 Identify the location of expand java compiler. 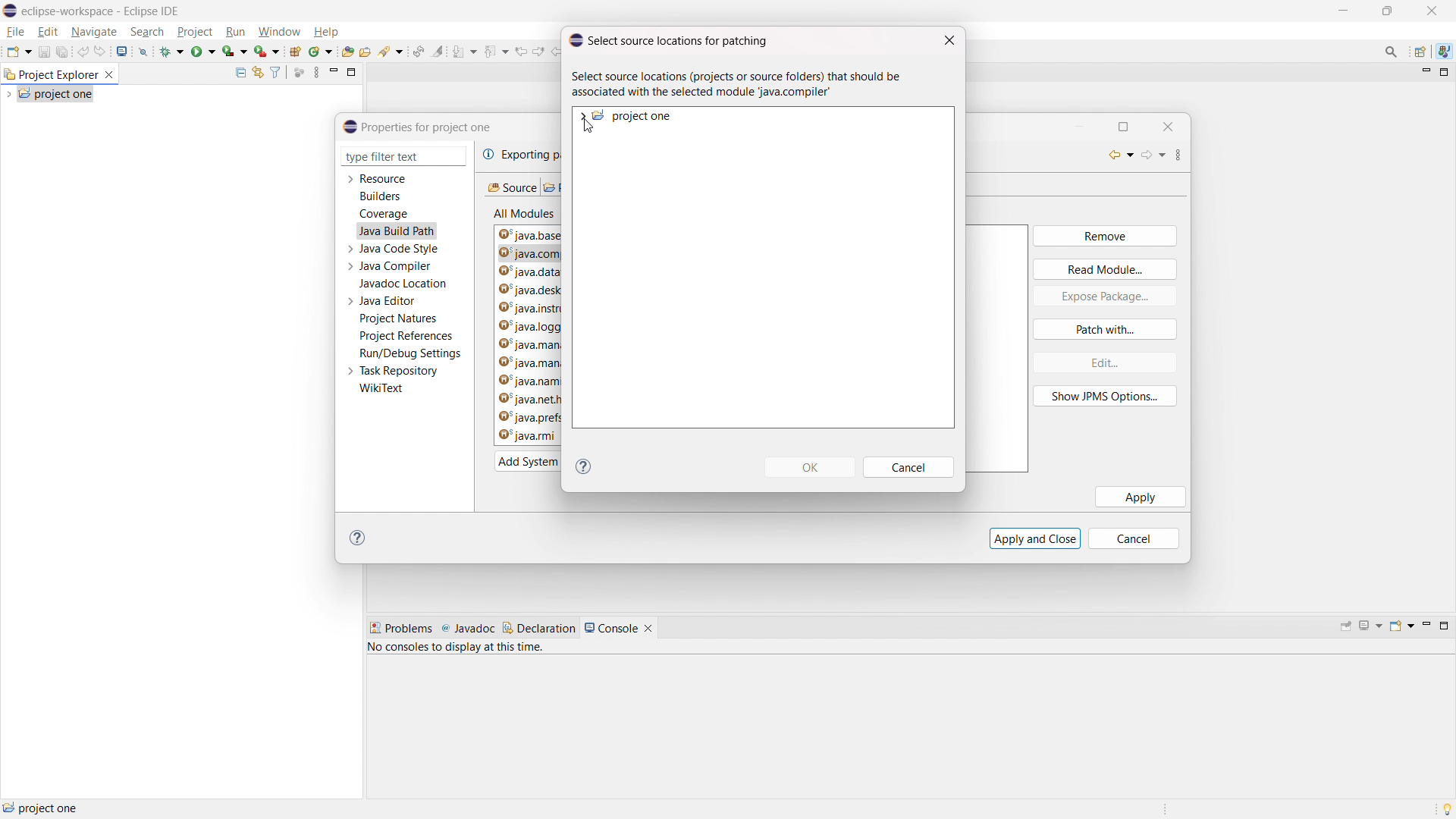
(350, 266).